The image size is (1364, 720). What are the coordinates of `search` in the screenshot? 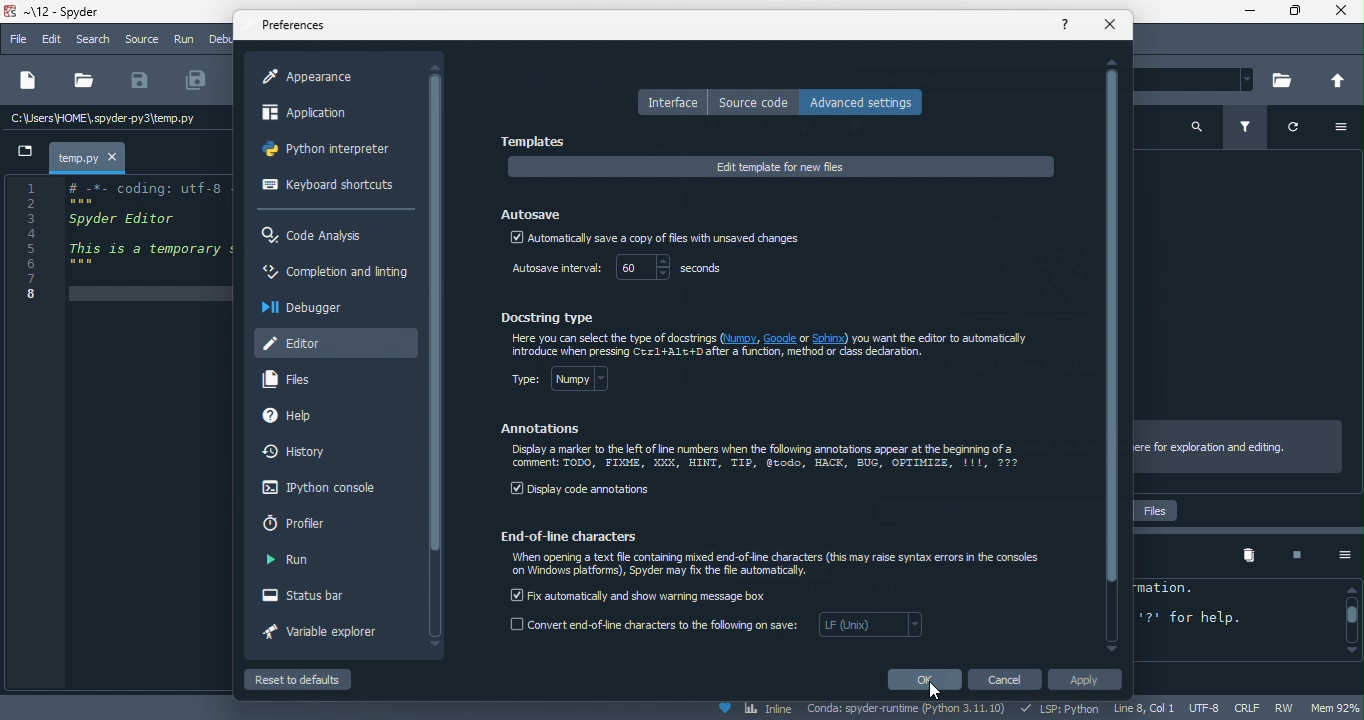 It's located at (96, 40).